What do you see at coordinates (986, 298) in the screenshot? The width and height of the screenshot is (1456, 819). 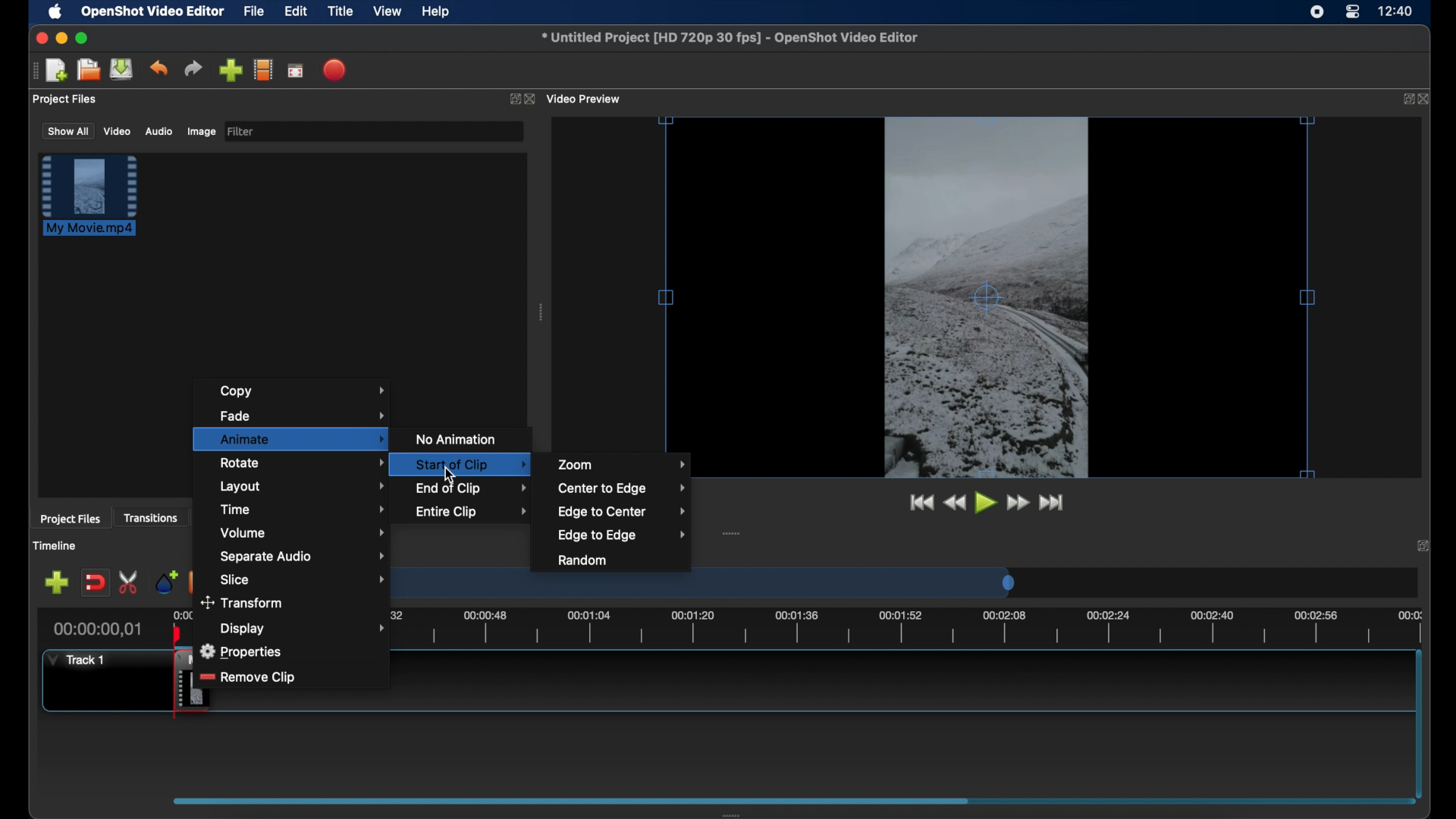 I see `video cursor` at bounding box center [986, 298].